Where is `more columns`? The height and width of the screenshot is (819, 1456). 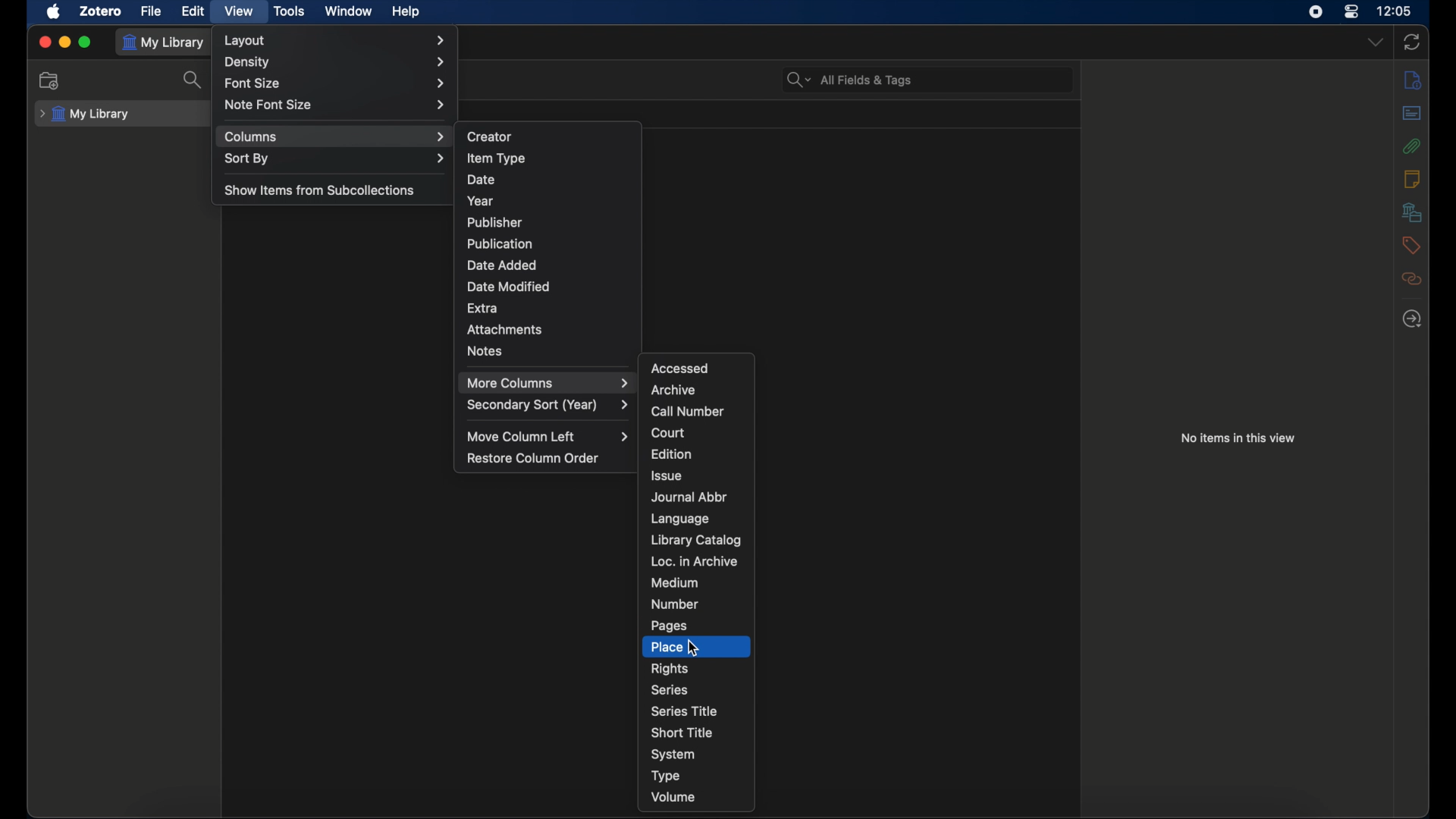 more columns is located at coordinates (547, 383).